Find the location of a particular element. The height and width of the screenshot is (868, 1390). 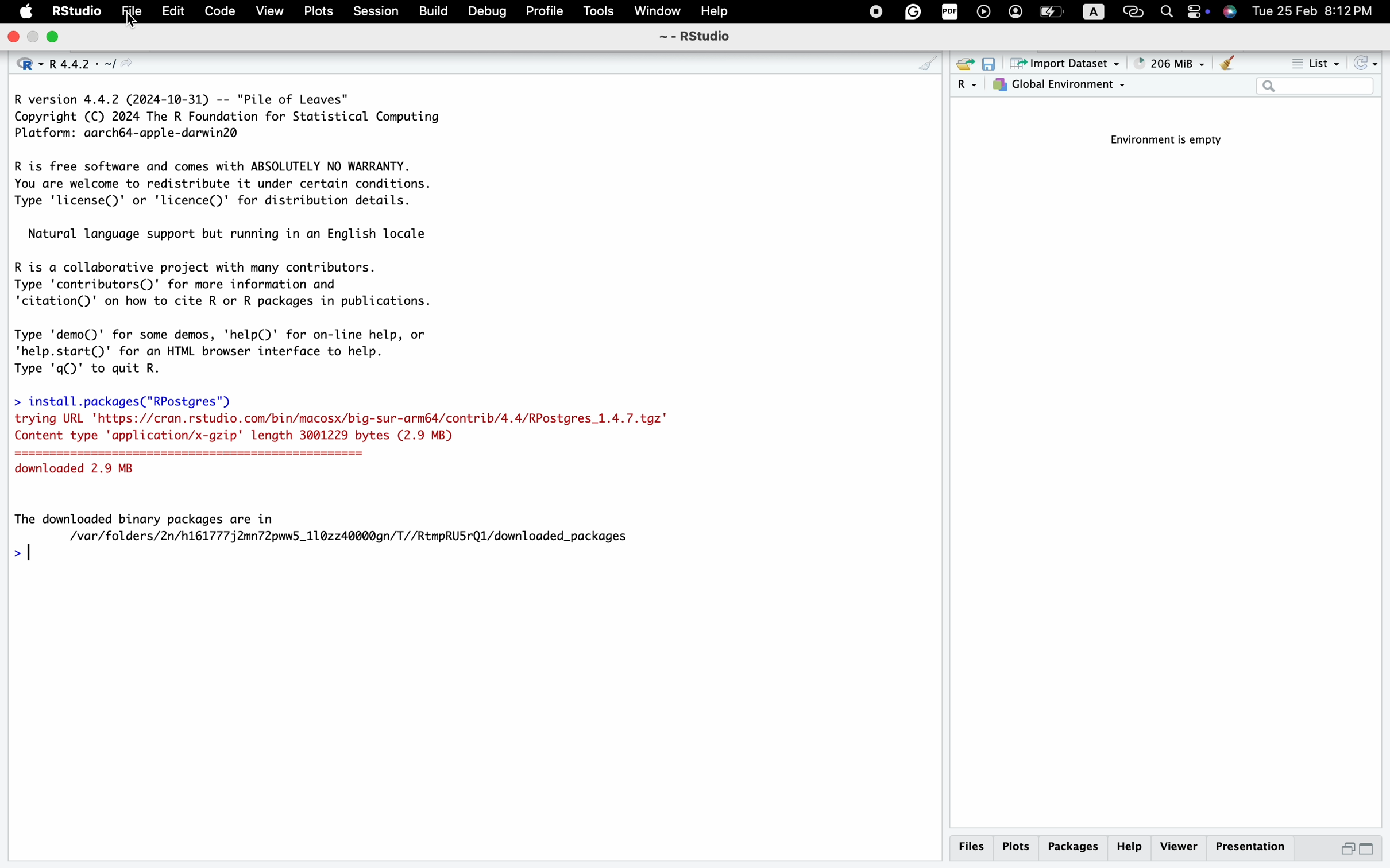

toggle is located at coordinates (1198, 13).